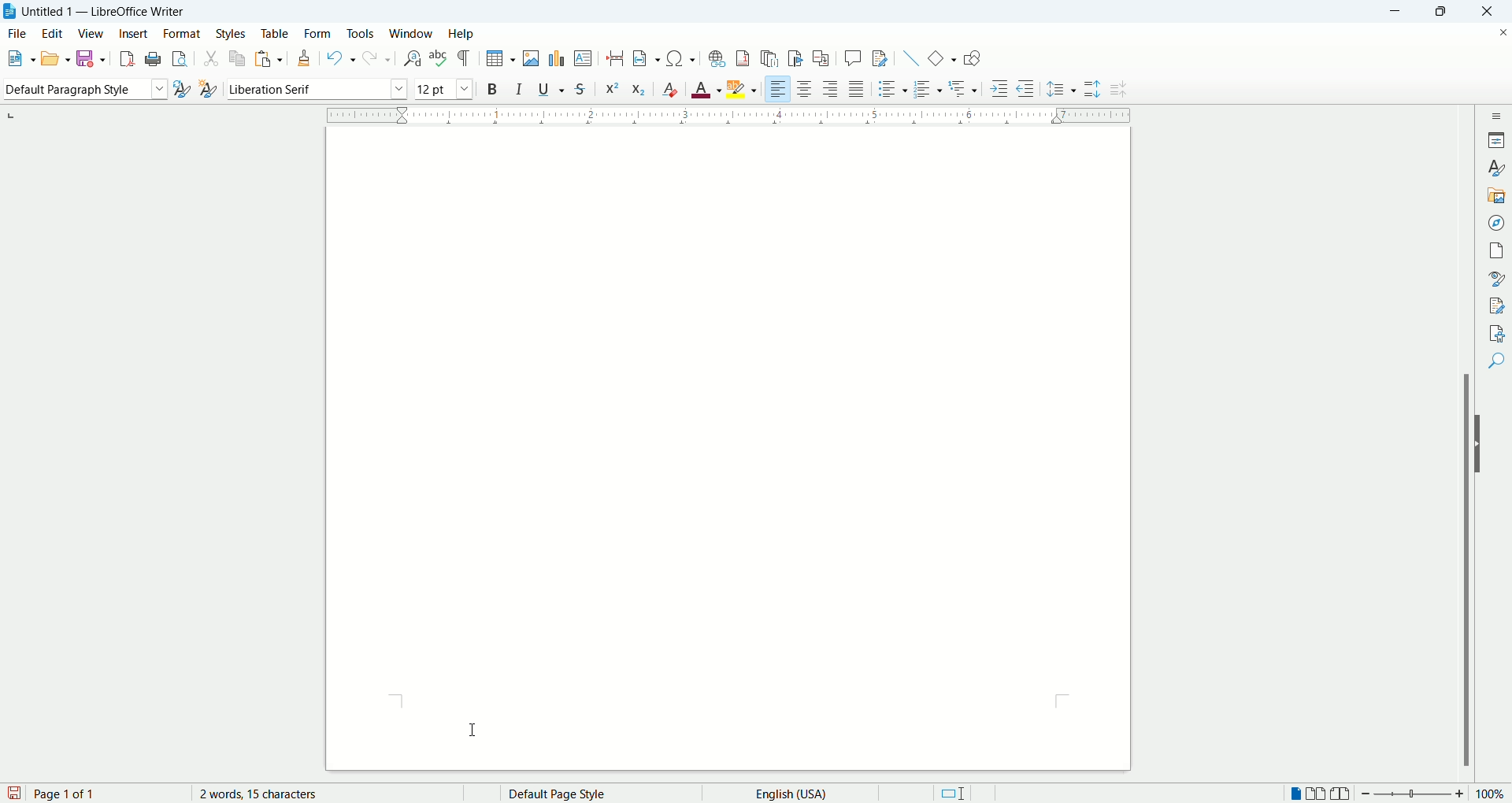  I want to click on strikethrough, so click(580, 91).